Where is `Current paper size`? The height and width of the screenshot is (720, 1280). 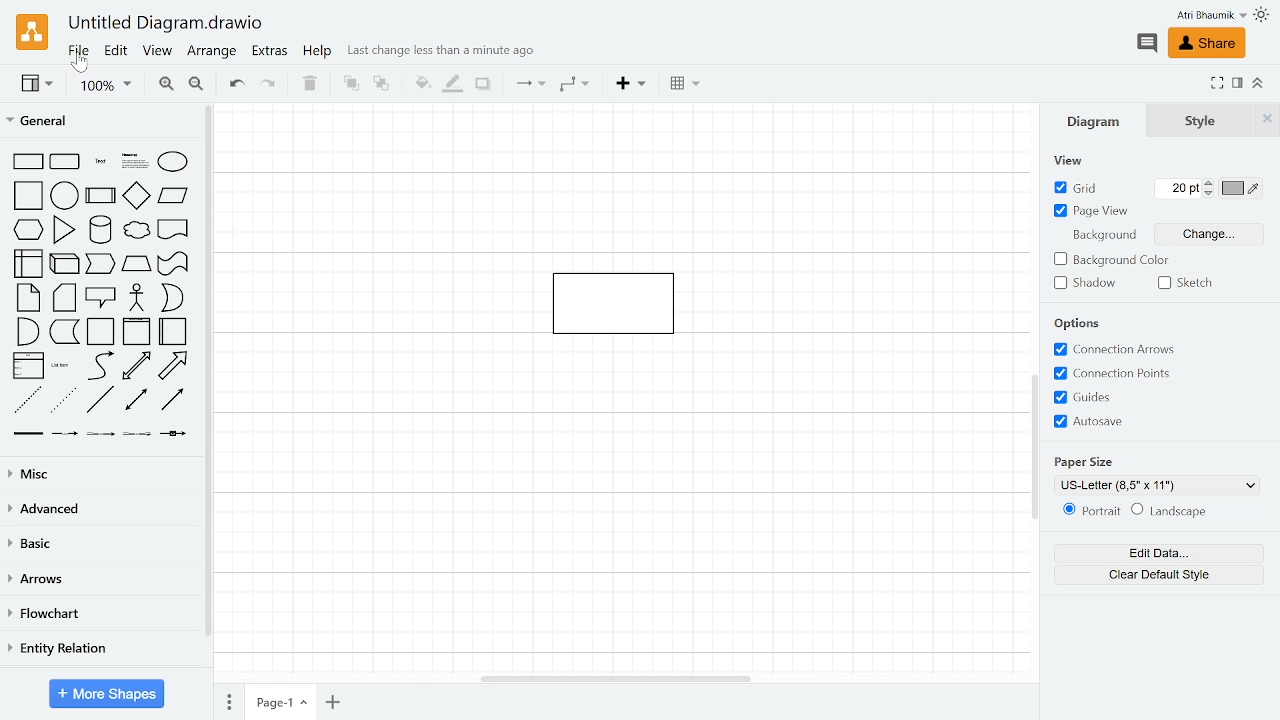 Current paper size is located at coordinates (1160, 485).